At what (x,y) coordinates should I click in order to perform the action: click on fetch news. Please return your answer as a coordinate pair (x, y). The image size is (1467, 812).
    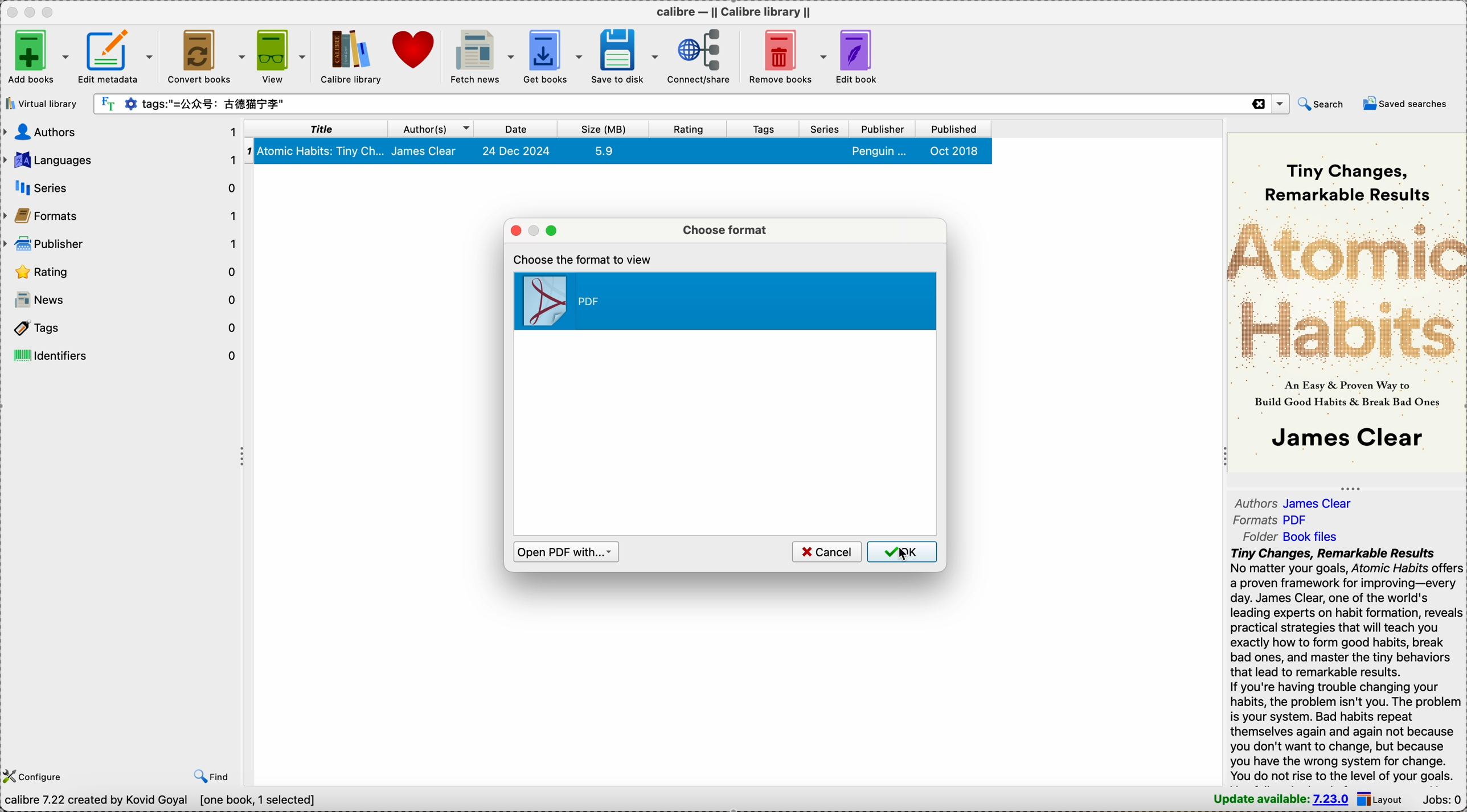
    Looking at the image, I should click on (481, 55).